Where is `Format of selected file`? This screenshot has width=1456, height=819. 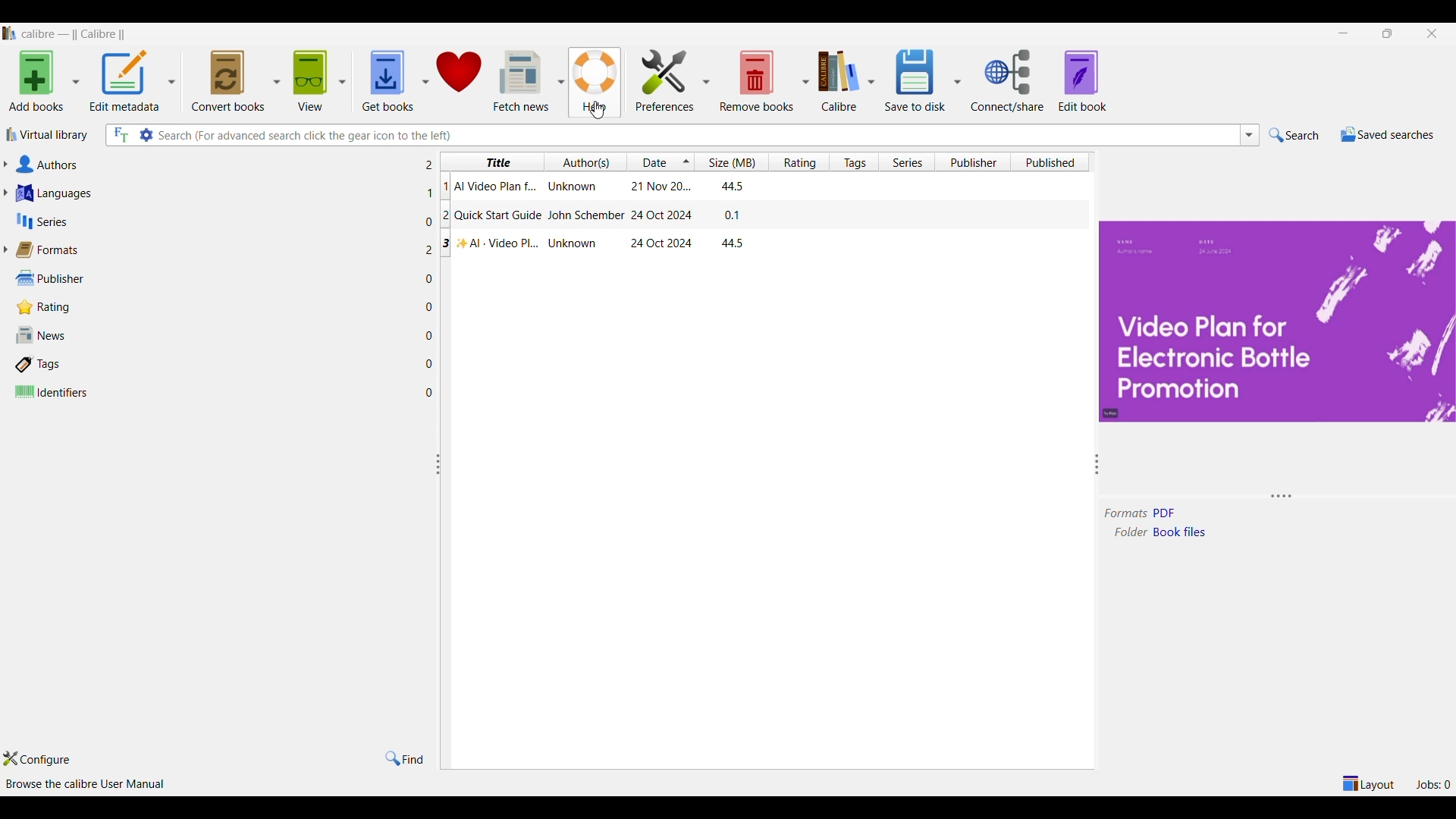
Format of selected file is located at coordinates (1163, 514).